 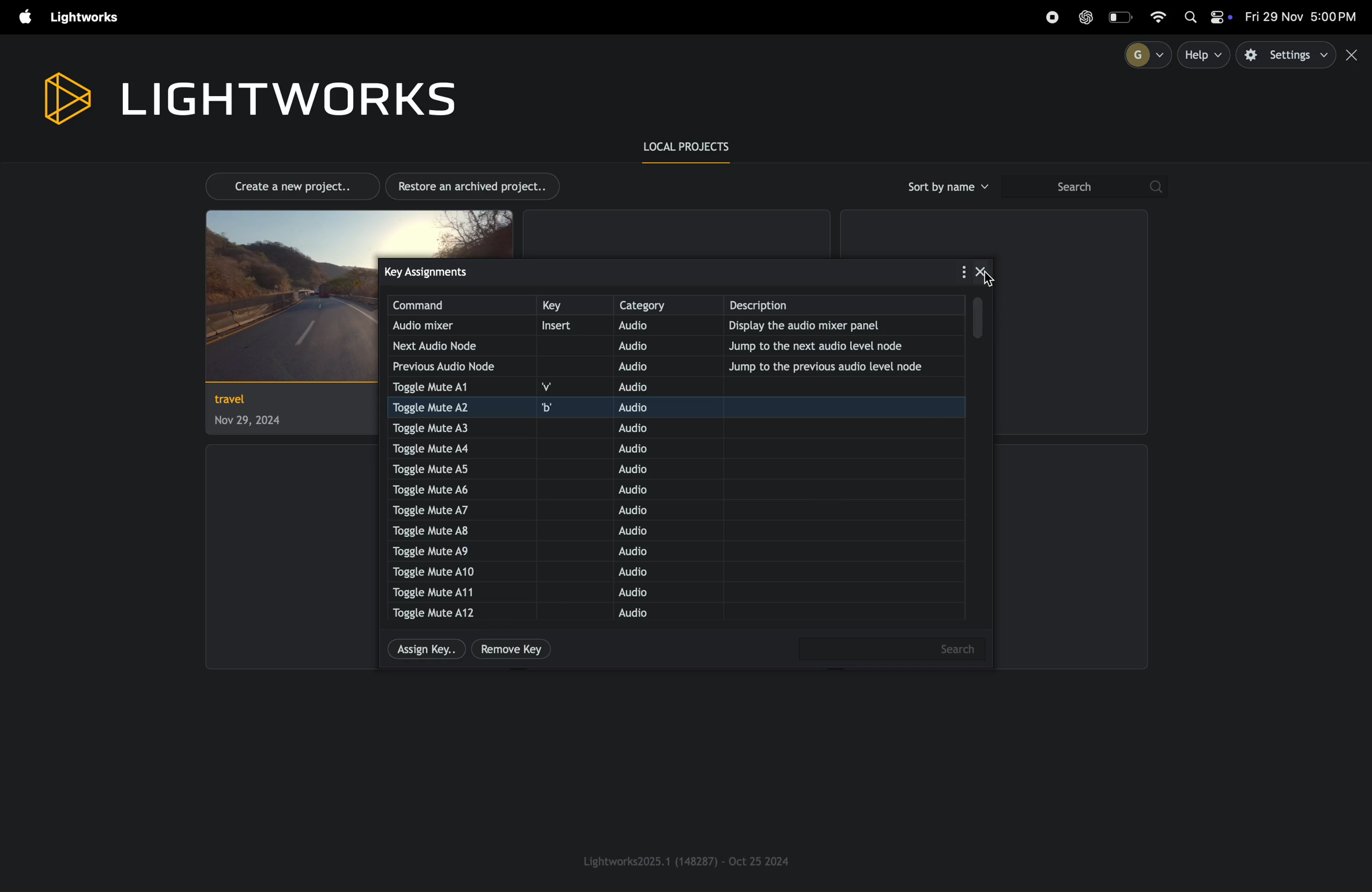 What do you see at coordinates (286, 185) in the screenshot?
I see `create new project` at bounding box center [286, 185].